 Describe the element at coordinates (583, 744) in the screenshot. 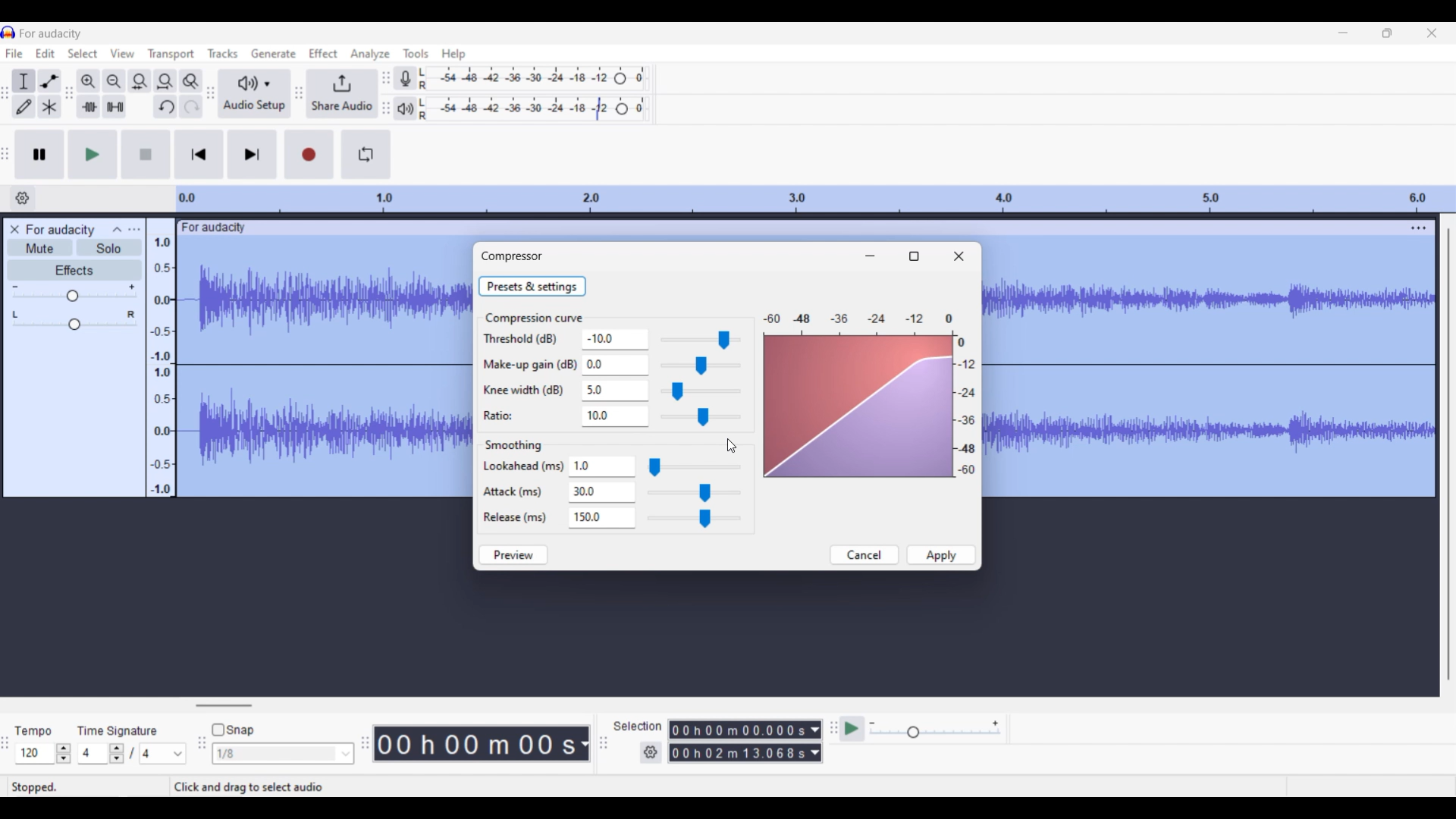

I see `Duration measurement` at that location.